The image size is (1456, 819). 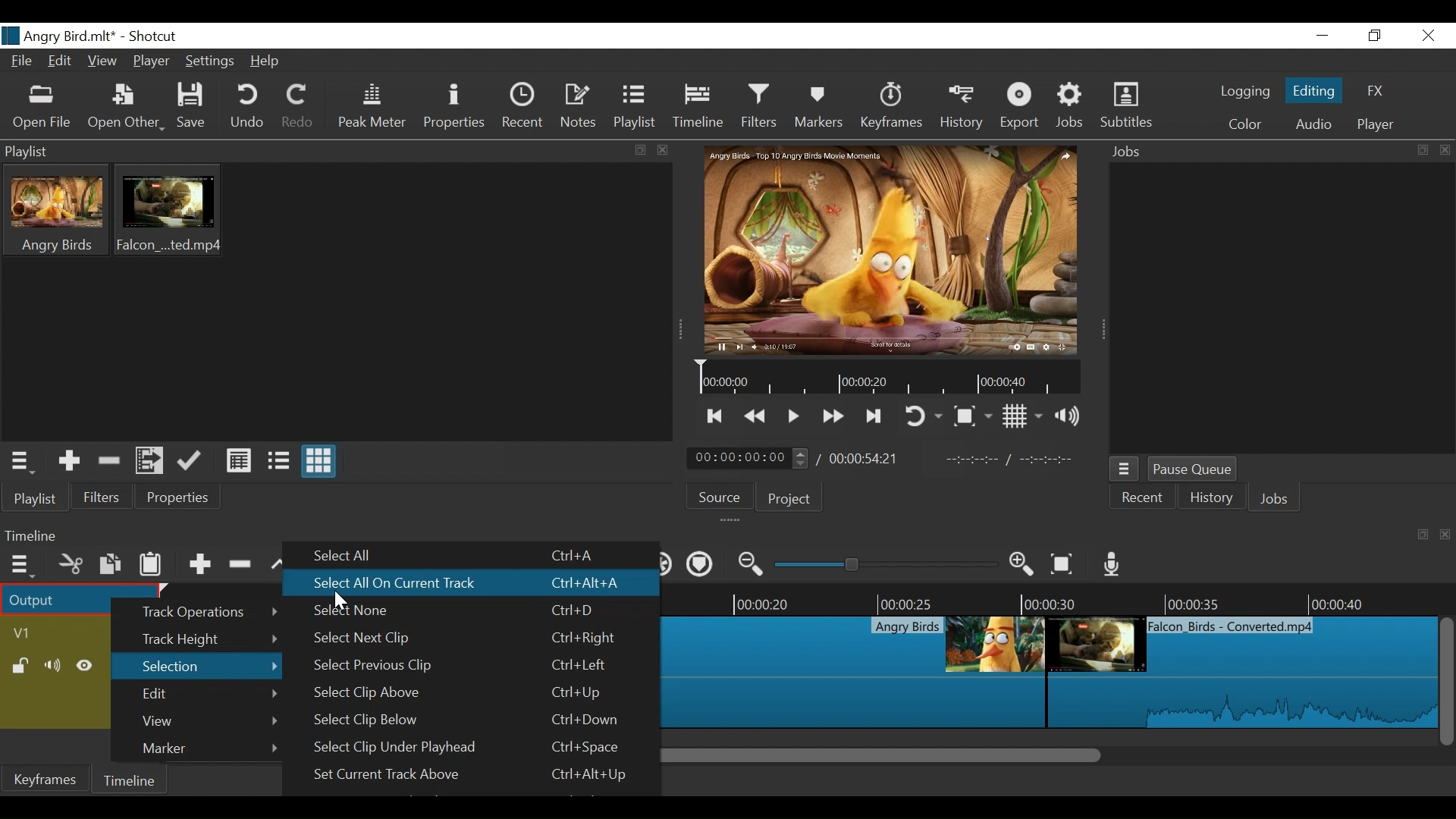 I want to click on Clip, so click(x=853, y=672).